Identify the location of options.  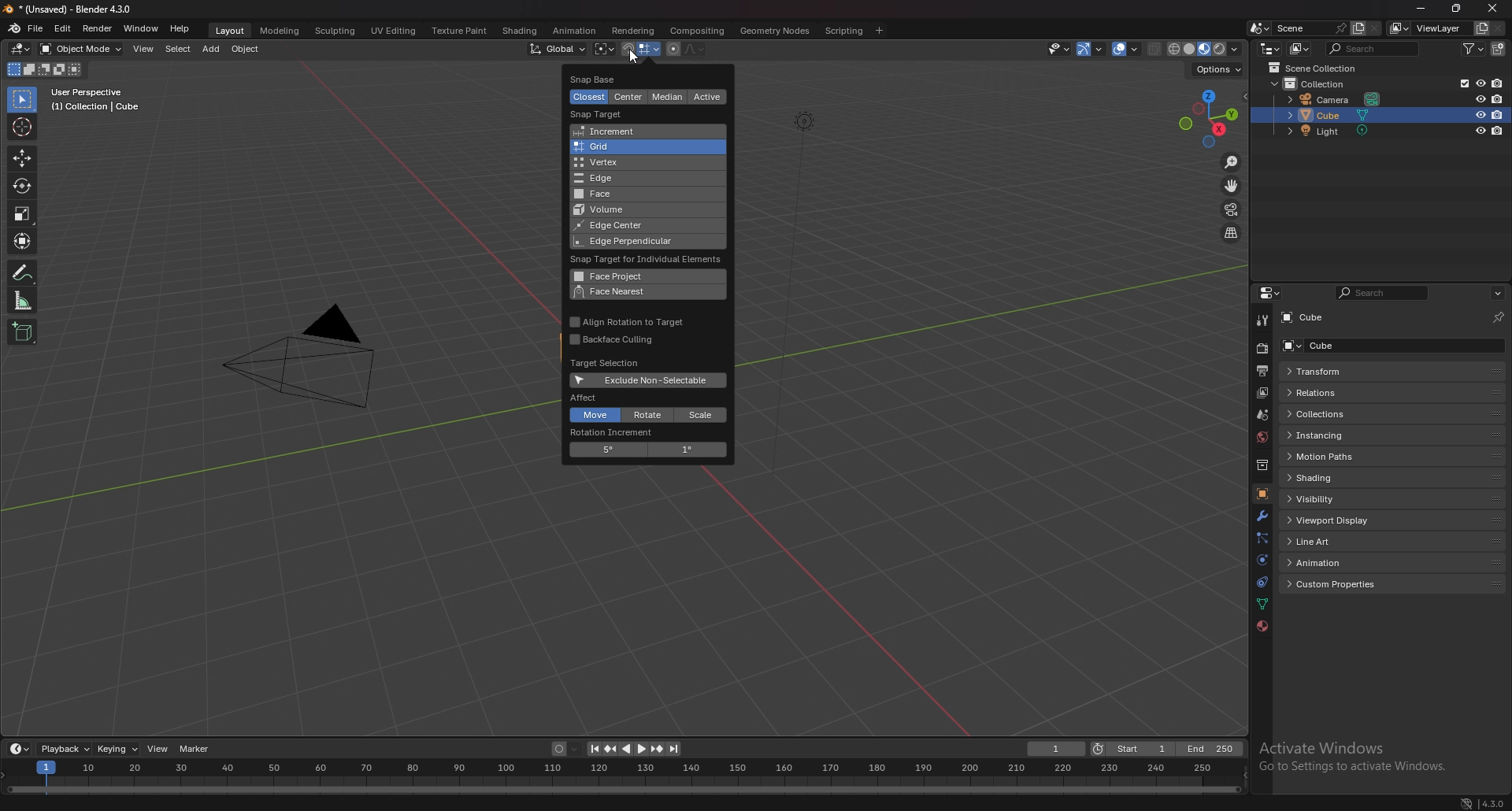
(1221, 71).